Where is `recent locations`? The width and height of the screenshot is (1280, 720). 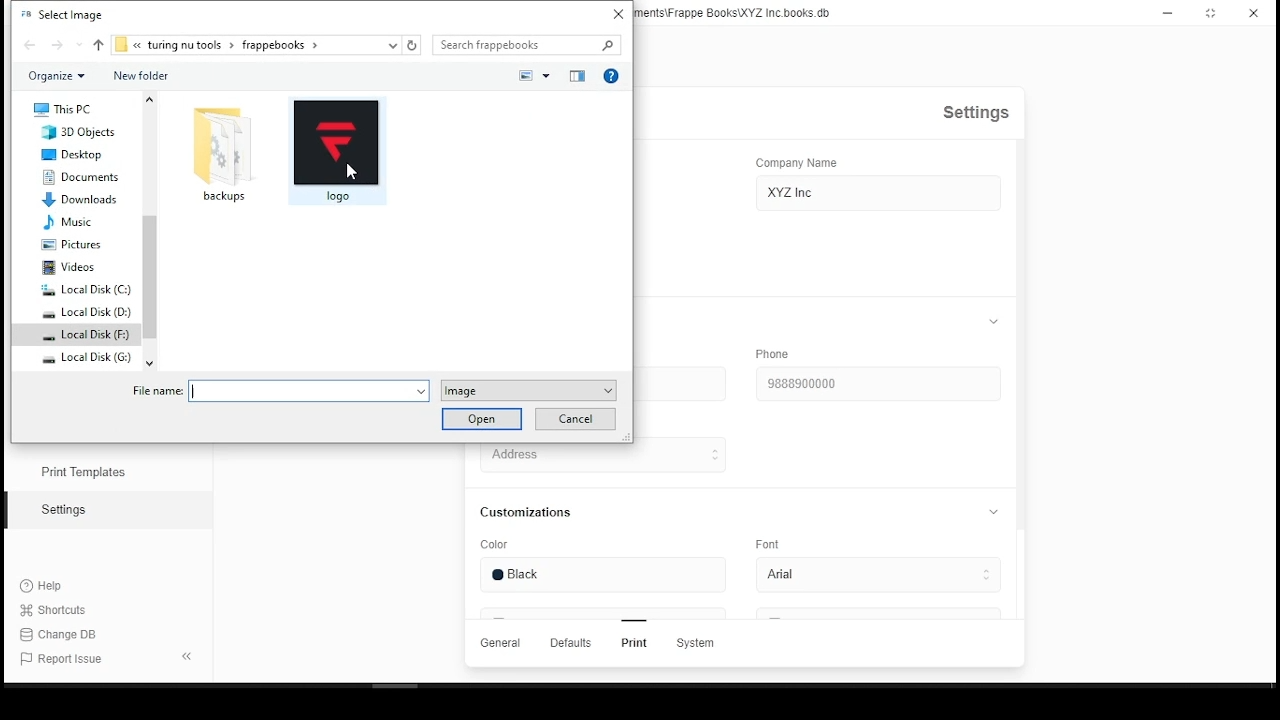 recent locations is located at coordinates (393, 45).